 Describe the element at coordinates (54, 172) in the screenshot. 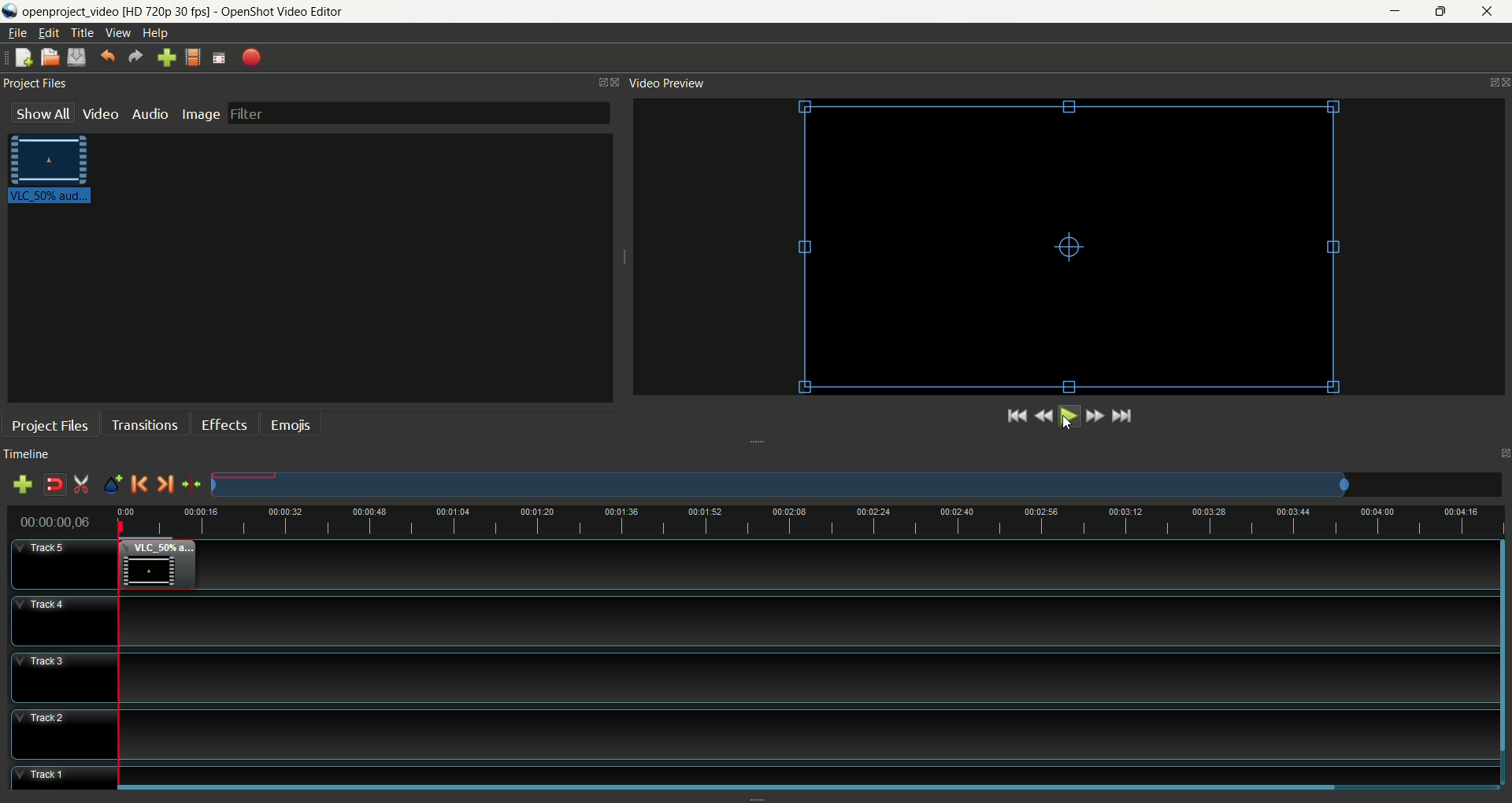

I see `video clip` at that location.